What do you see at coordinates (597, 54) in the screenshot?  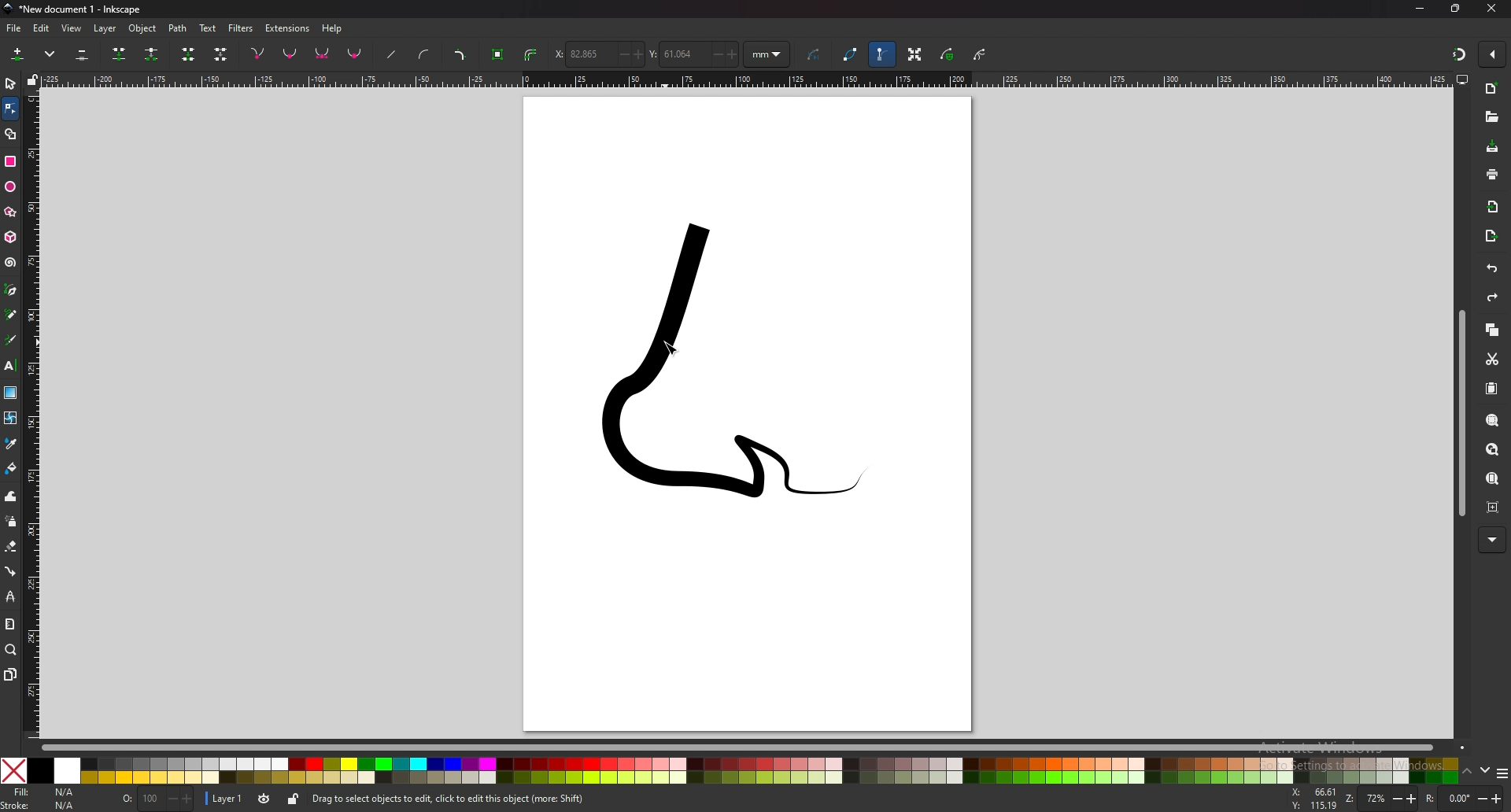 I see `x coordinates` at bounding box center [597, 54].